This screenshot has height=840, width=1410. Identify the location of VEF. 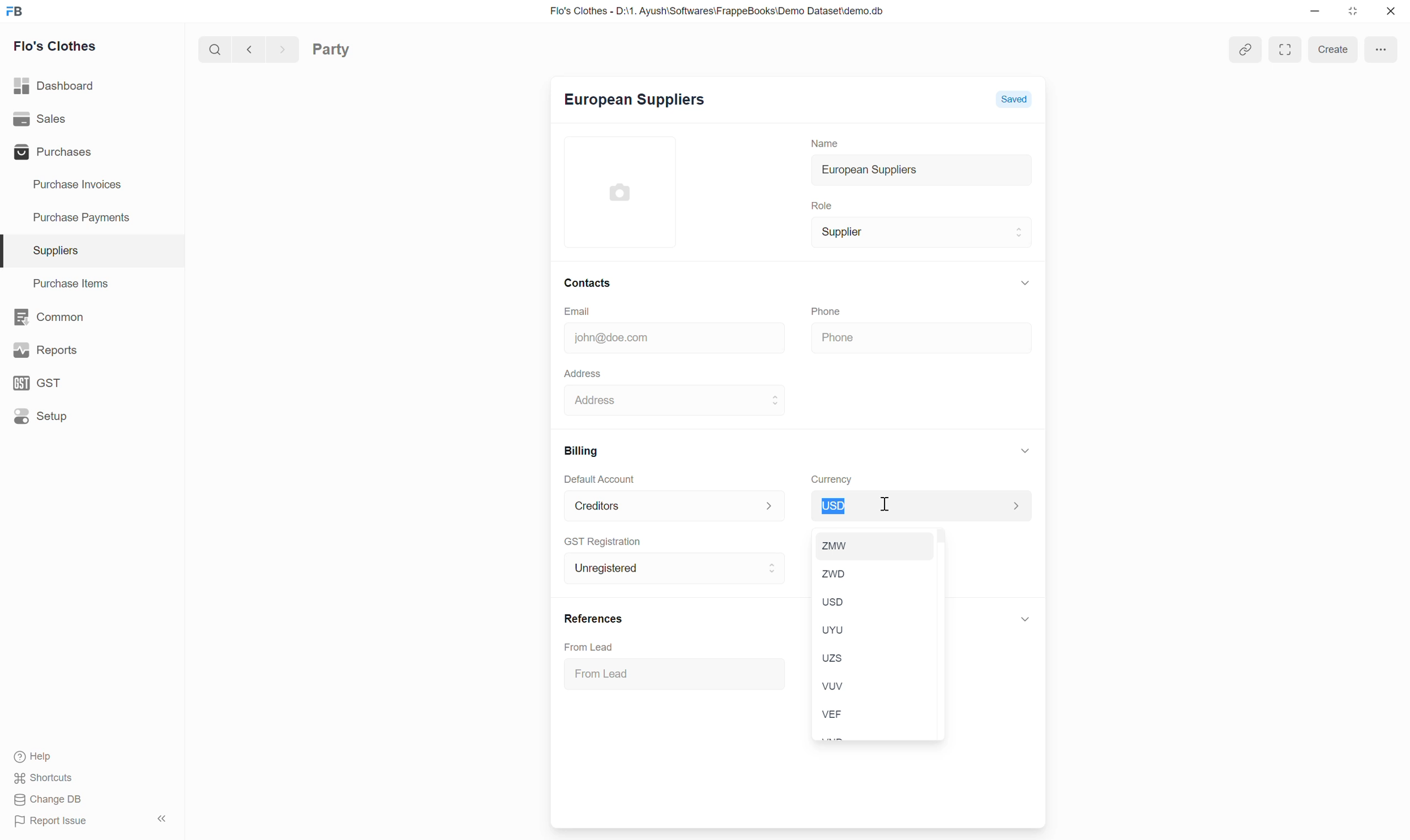
(836, 712).